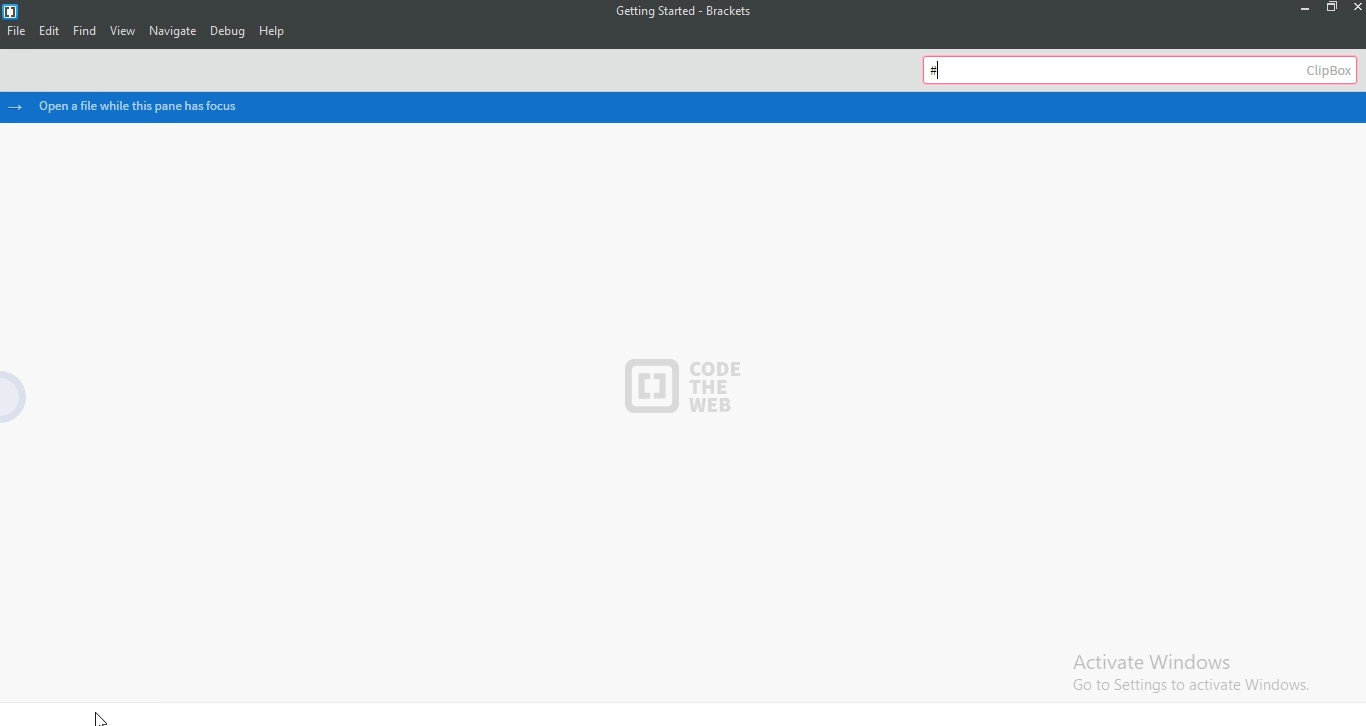  What do you see at coordinates (679, 108) in the screenshot?
I see `open a file while this pane has focus` at bounding box center [679, 108].